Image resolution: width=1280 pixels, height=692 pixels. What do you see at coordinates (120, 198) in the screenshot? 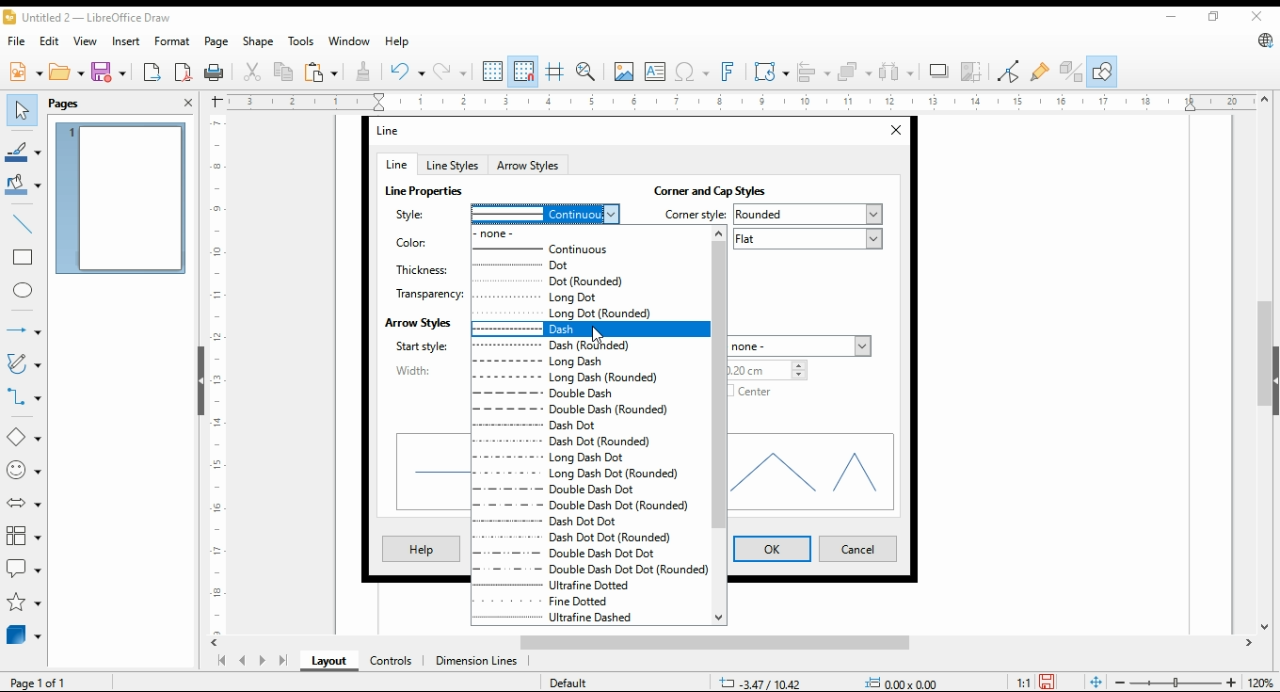
I see `page 1` at bounding box center [120, 198].